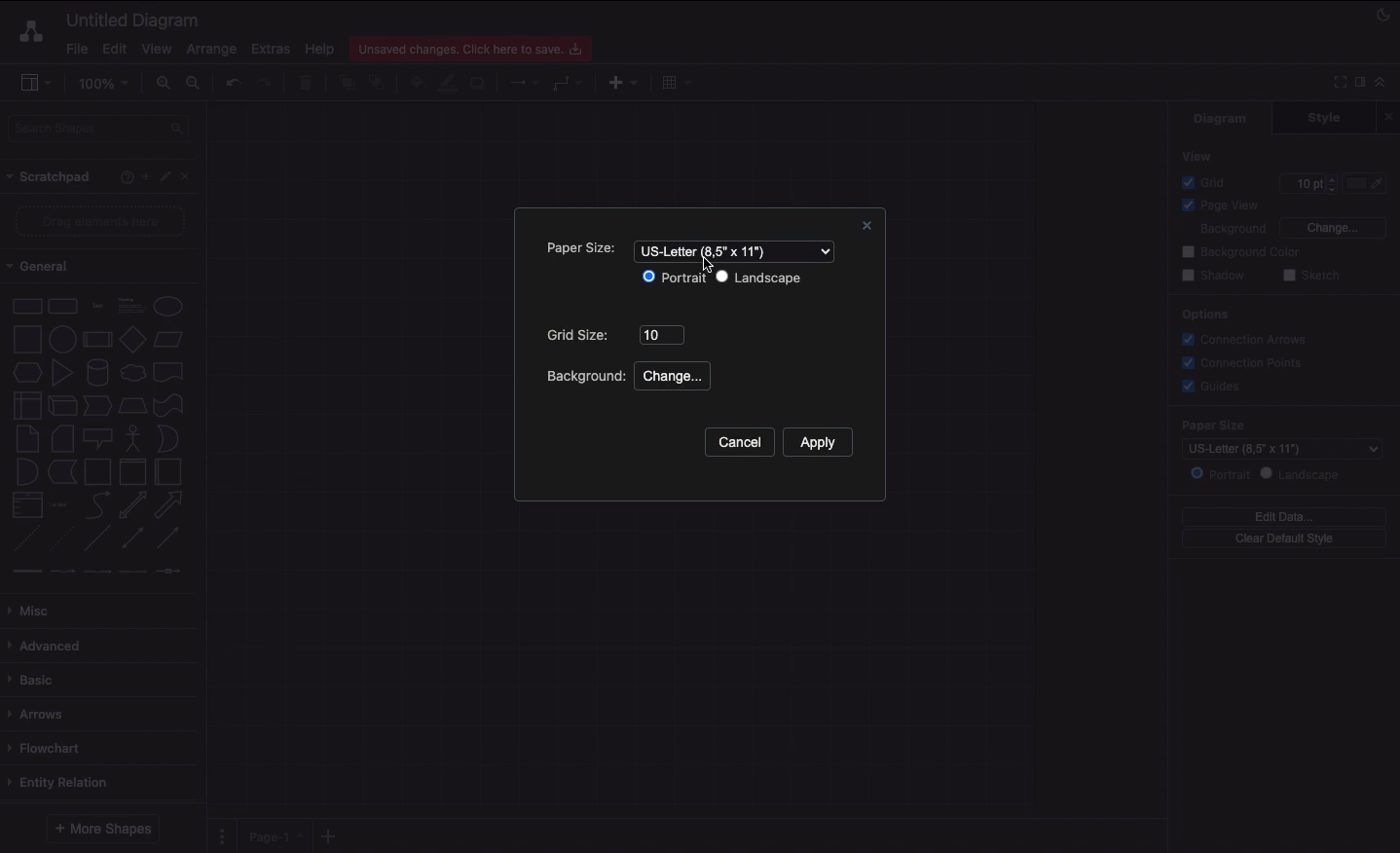 The image size is (1400, 853). What do you see at coordinates (864, 228) in the screenshot?
I see `Close` at bounding box center [864, 228].